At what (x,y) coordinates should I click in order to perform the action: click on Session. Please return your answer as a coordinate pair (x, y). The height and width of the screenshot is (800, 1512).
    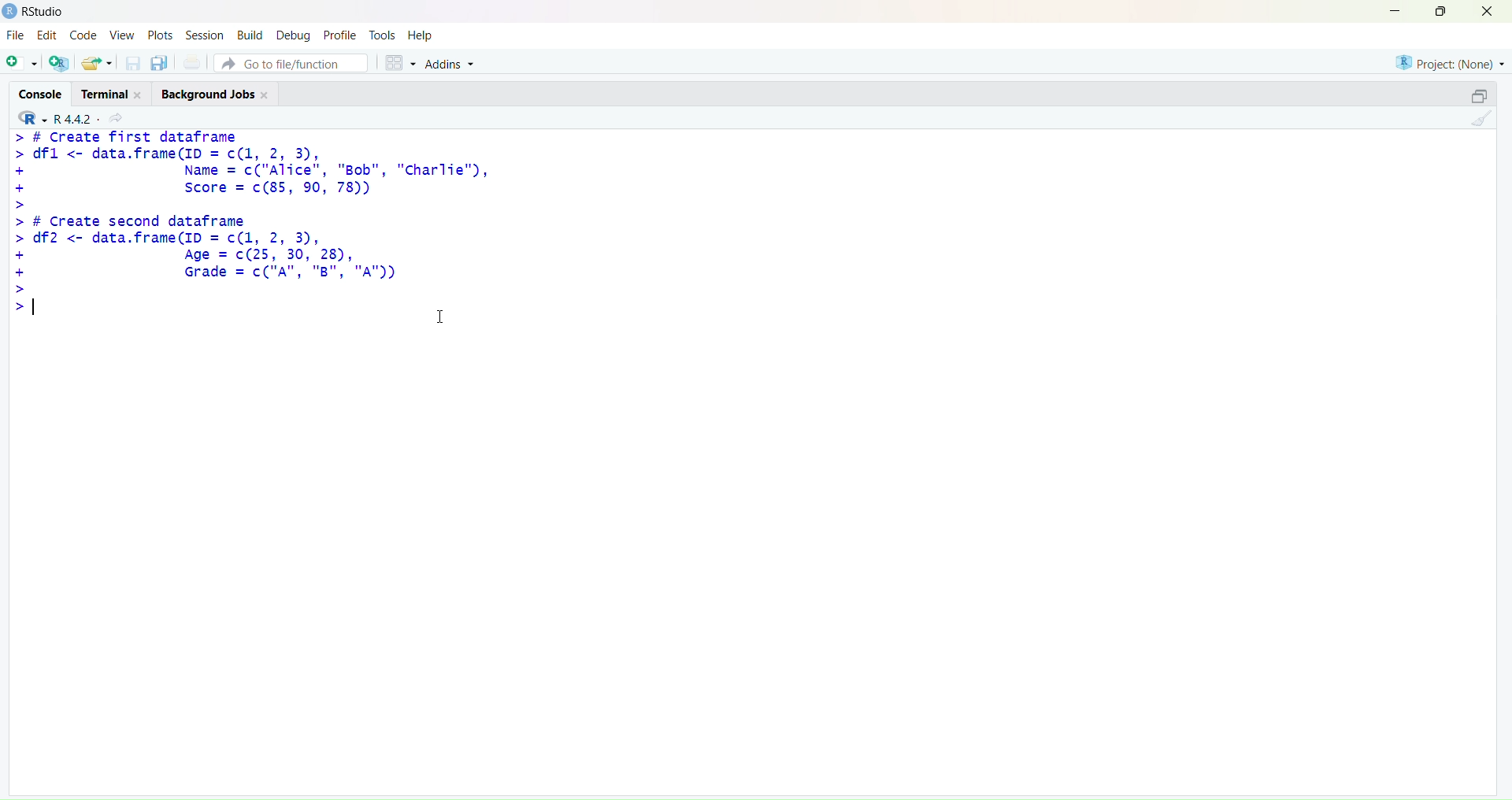
    Looking at the image, I should click on (206, 35).